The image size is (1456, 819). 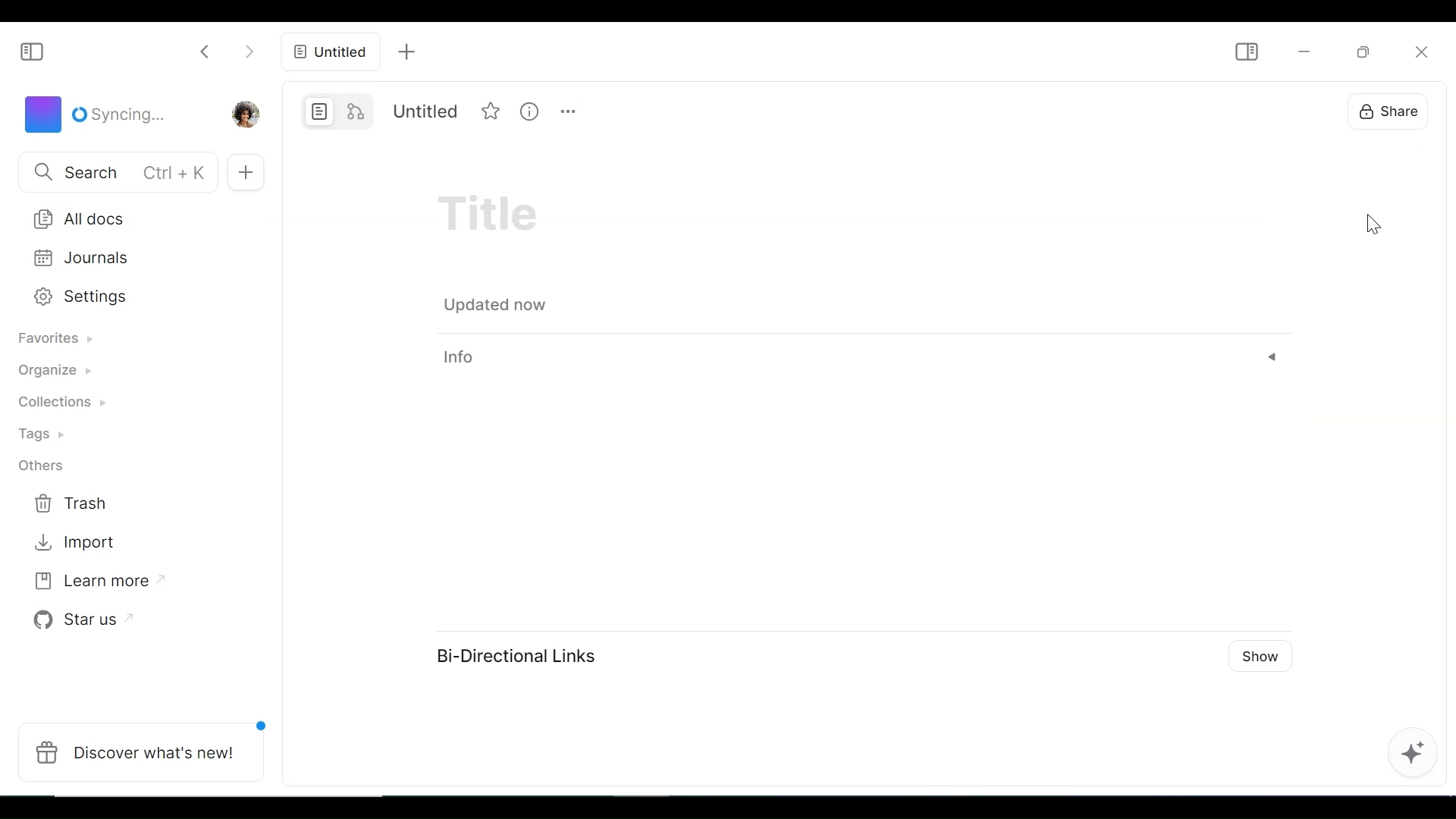 I want to click on Share, so click(x=1382, y=110).